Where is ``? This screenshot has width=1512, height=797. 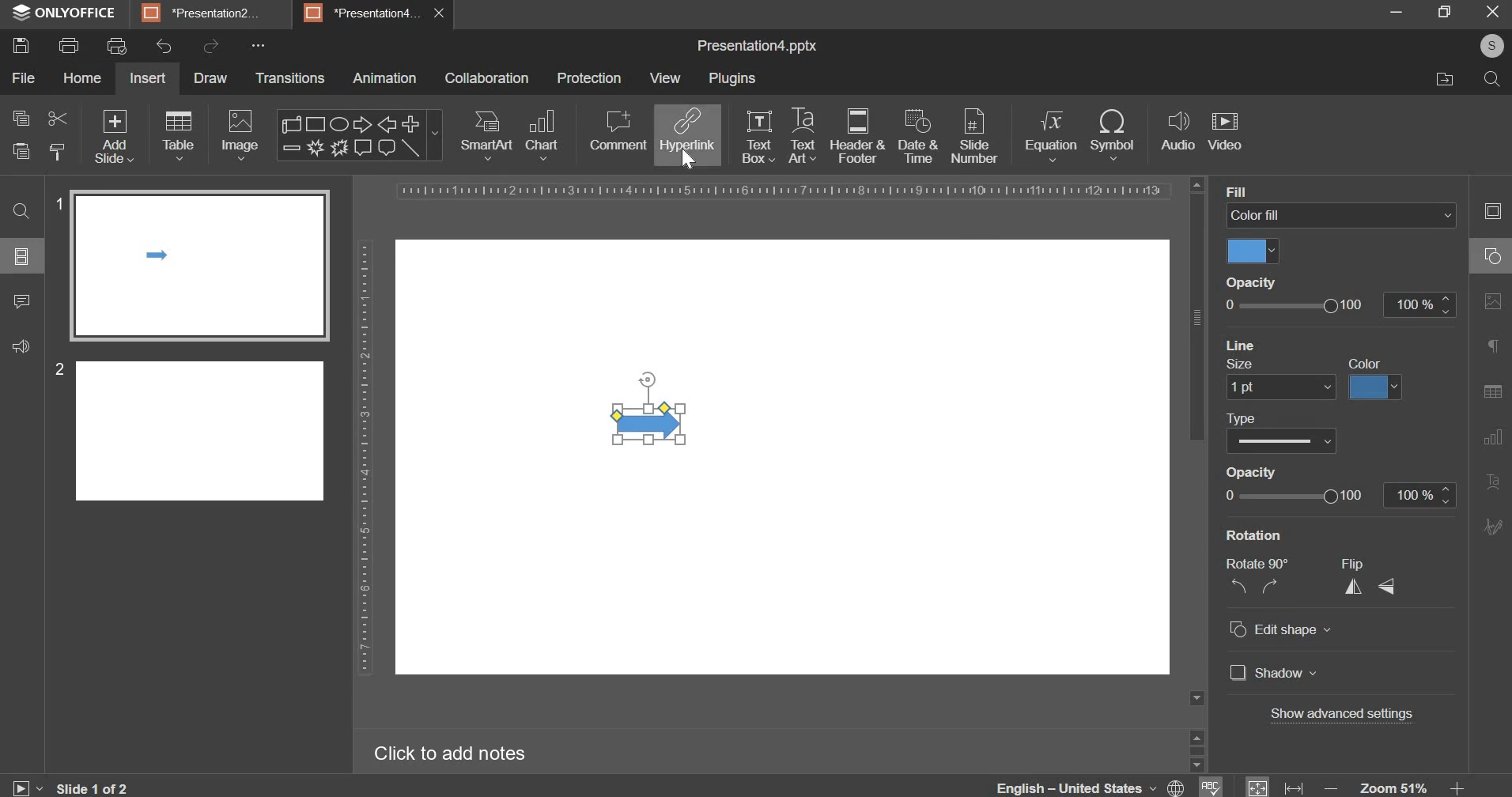
 is located at coordinates (1291, 500).